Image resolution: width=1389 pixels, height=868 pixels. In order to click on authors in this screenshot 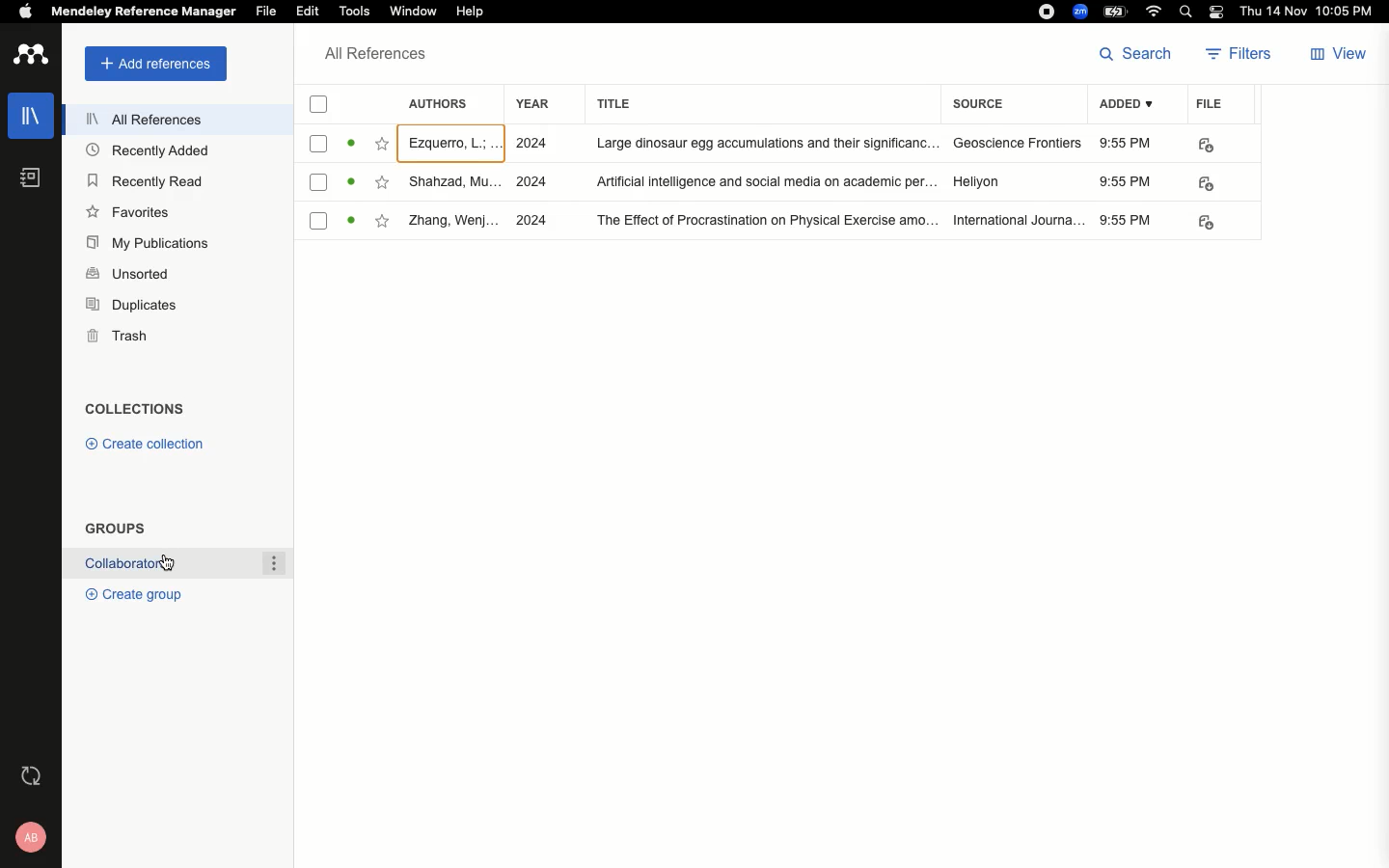, I will do `click(453, 223)`.